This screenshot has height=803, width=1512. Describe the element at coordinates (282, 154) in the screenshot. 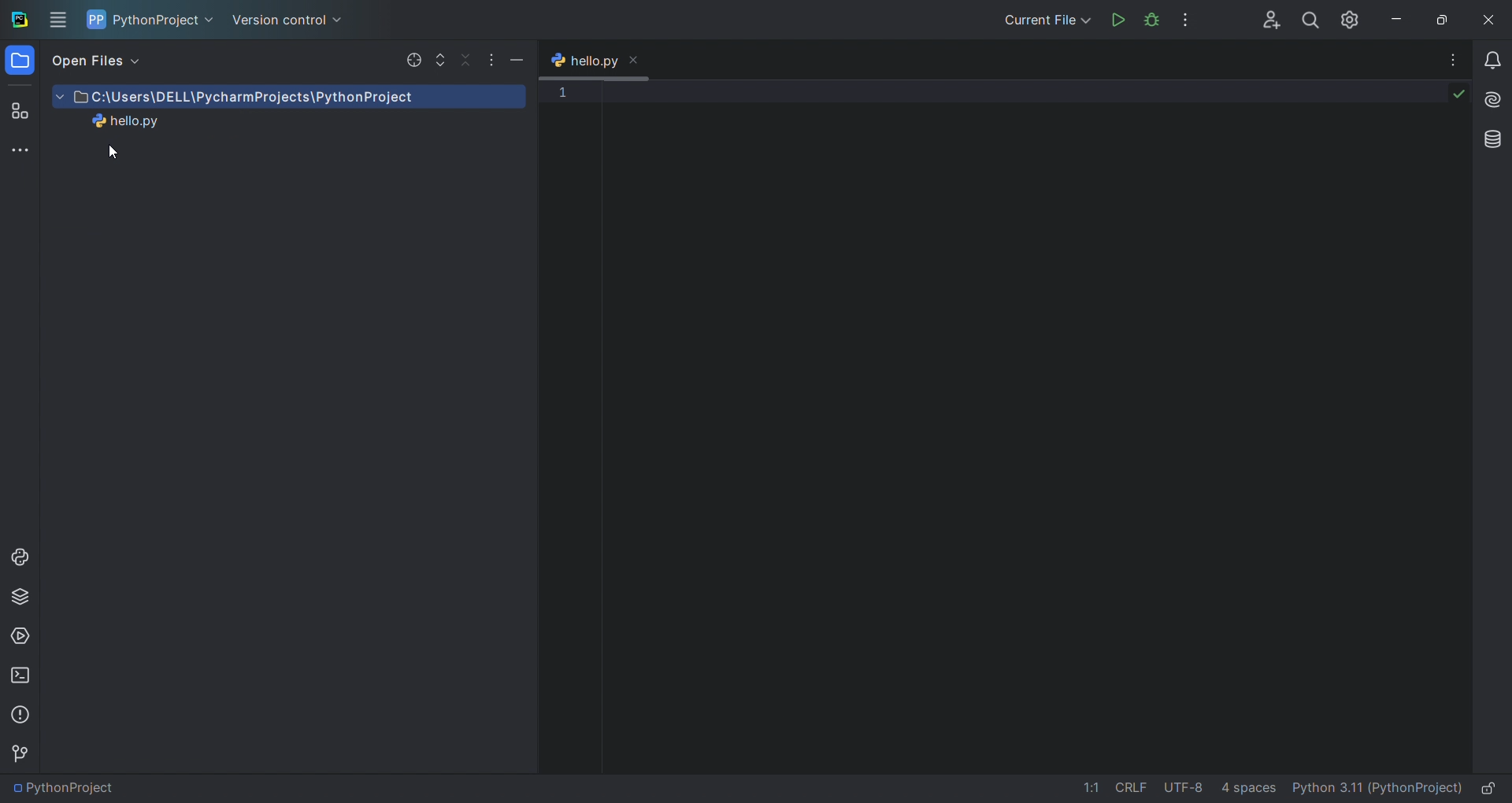

I see `file hierrarchy` at that location.